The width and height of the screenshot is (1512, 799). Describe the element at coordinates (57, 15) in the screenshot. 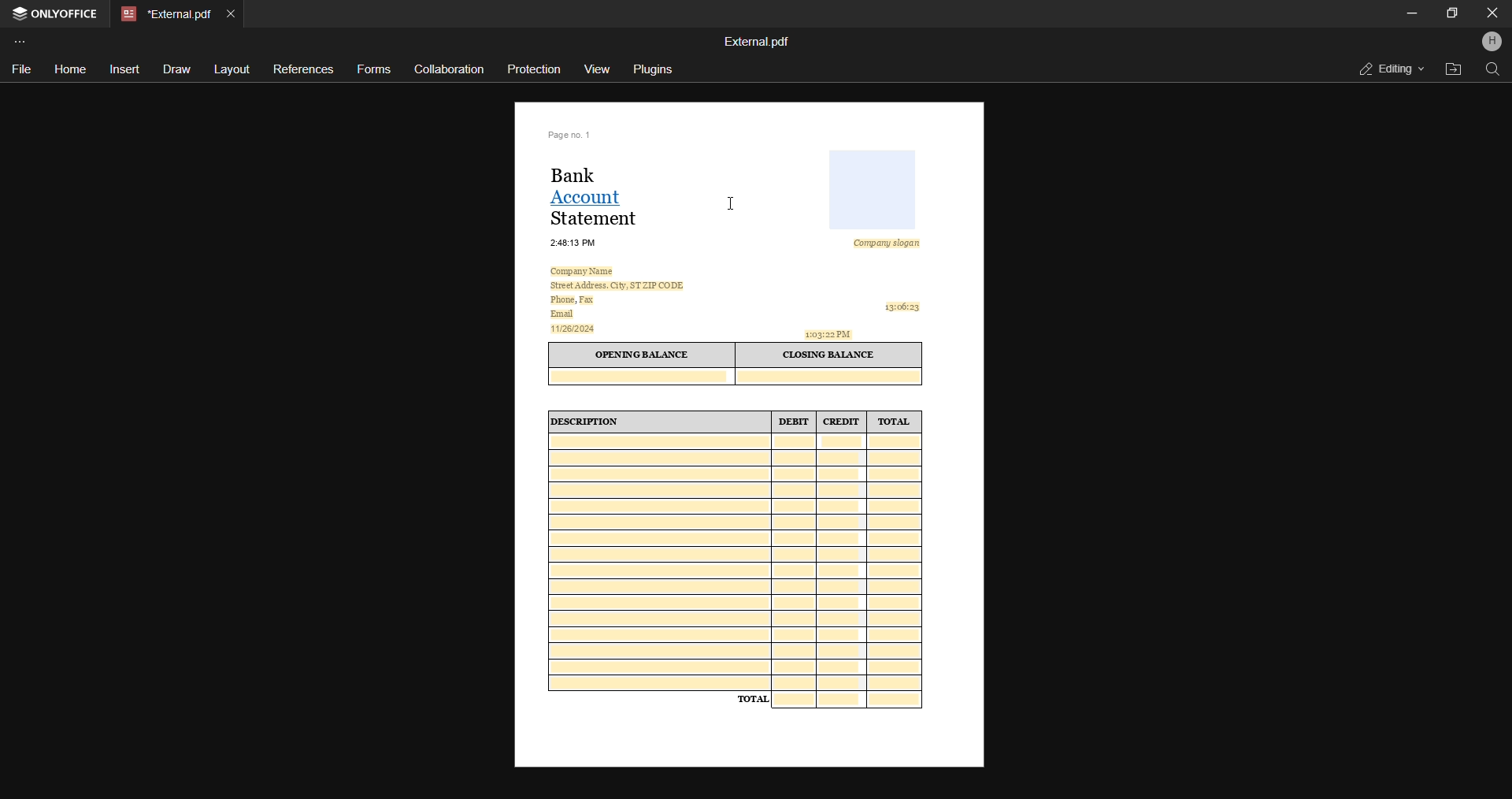

I see `OnlyOffice application tab` at that location.